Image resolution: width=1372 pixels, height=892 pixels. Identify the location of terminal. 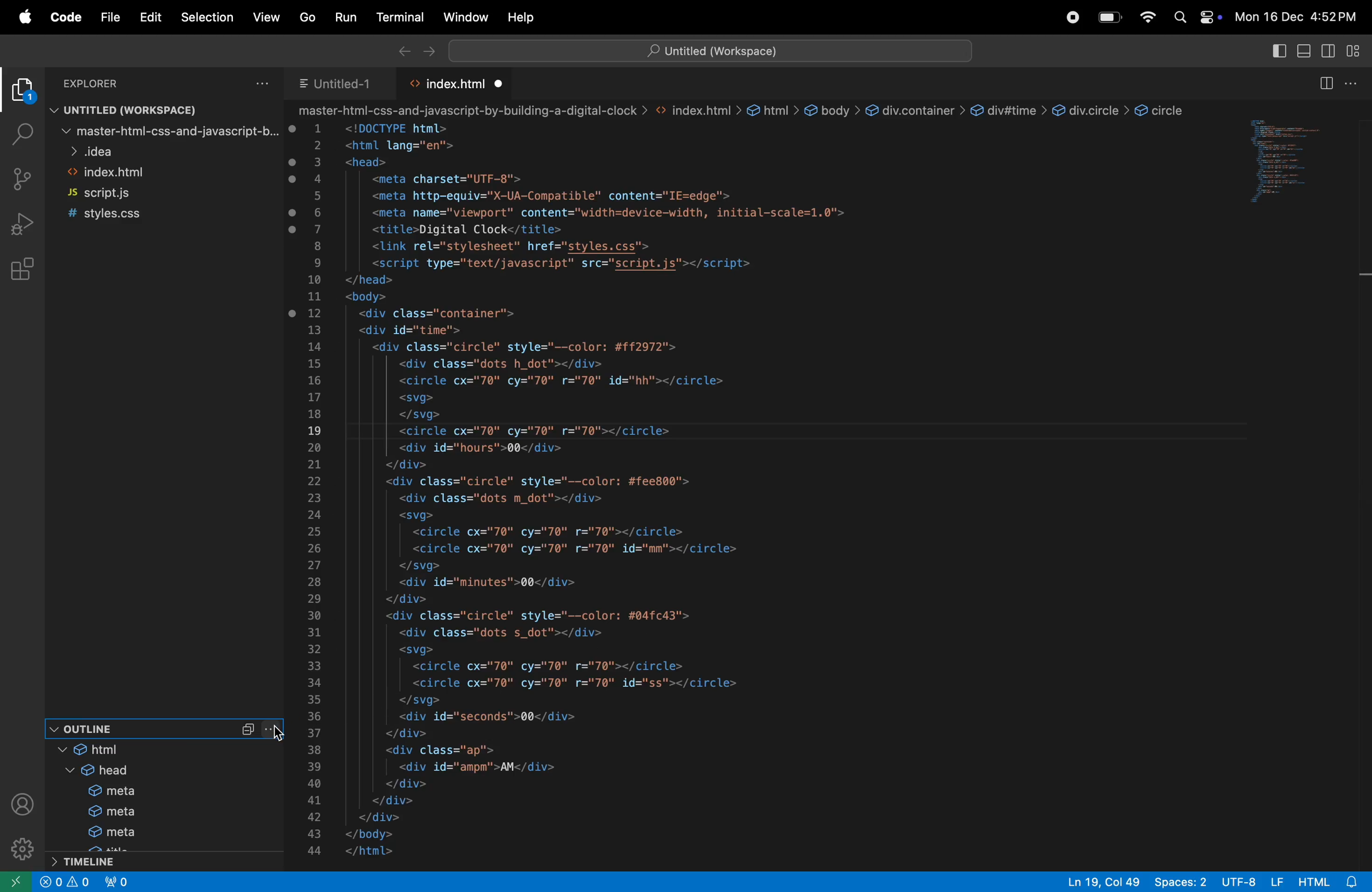
(395, 17).